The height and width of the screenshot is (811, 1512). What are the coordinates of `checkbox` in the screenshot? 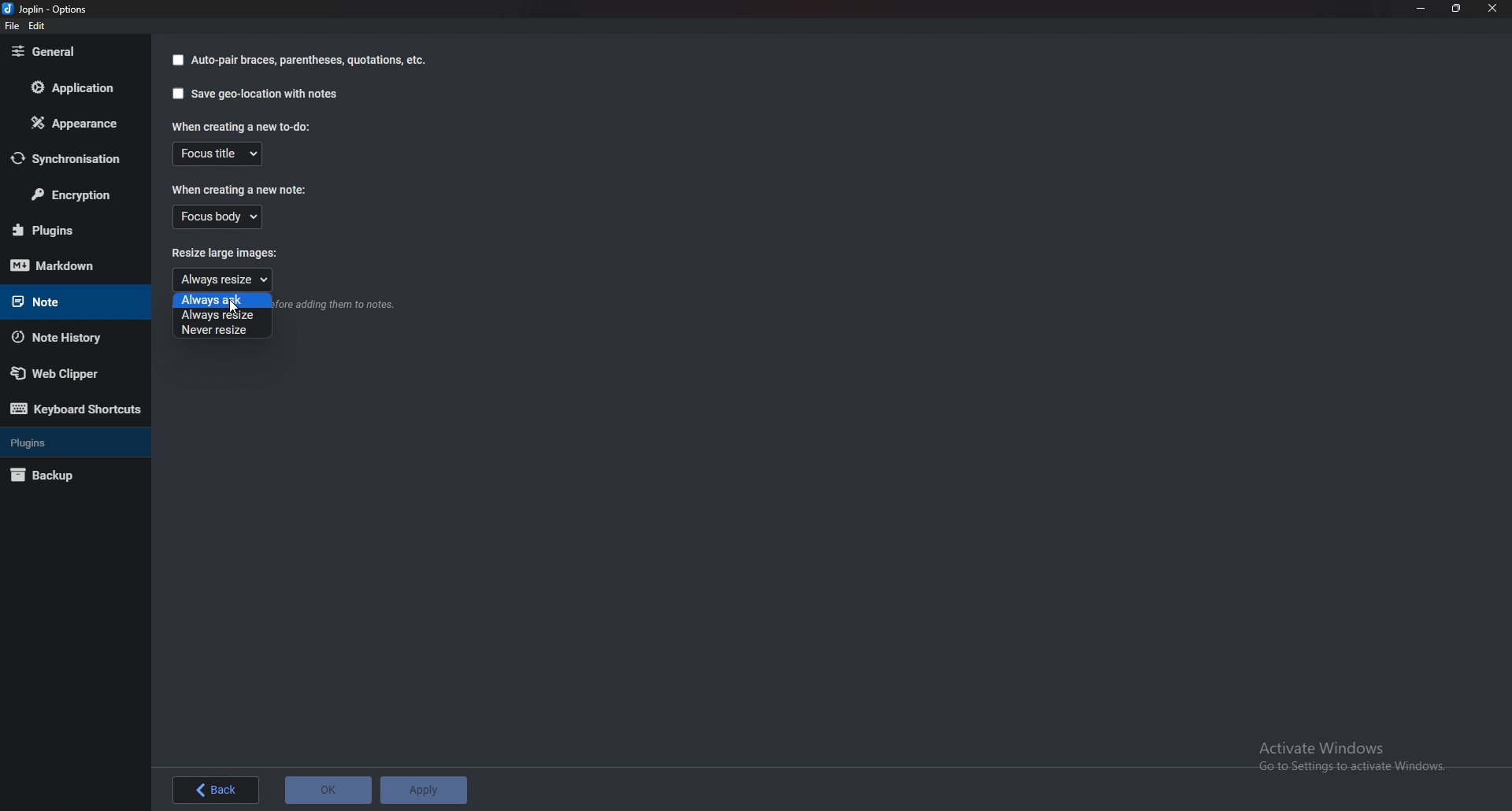 It's located at (175, 60).